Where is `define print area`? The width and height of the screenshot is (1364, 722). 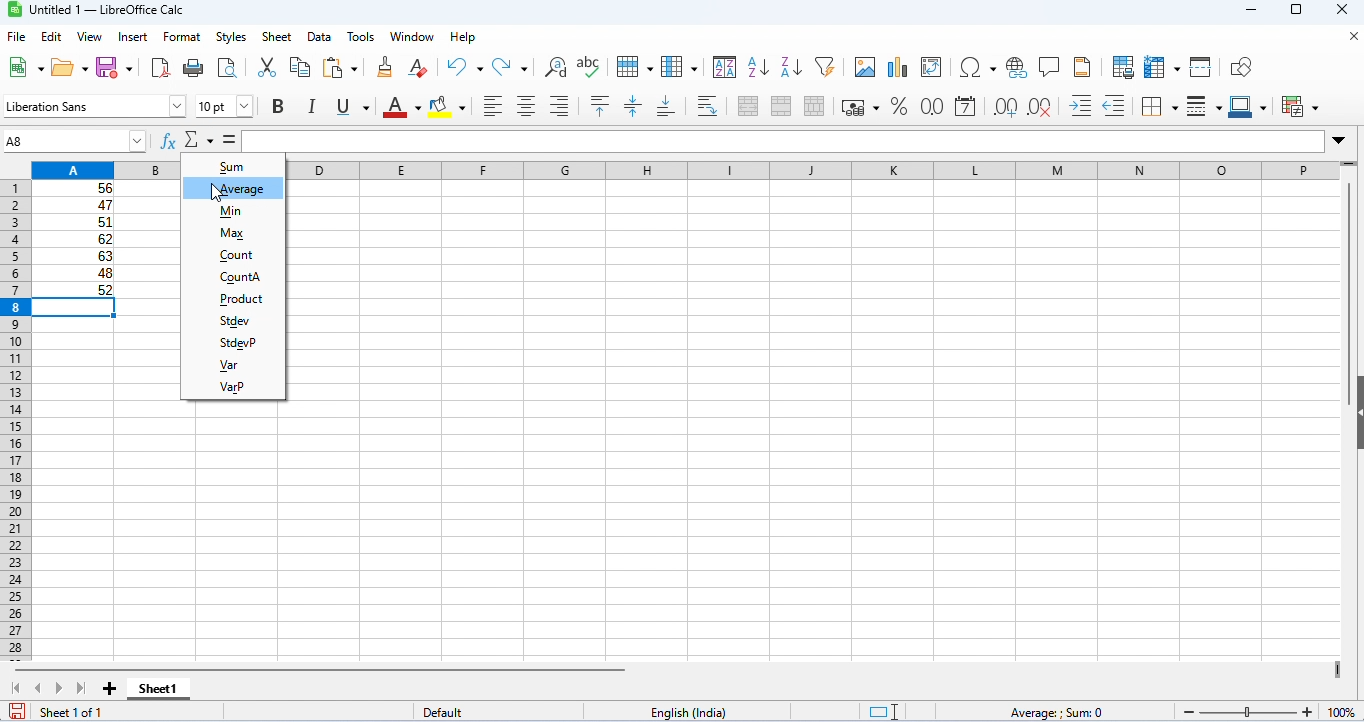
define print area is located at coordinates (1123, 67).